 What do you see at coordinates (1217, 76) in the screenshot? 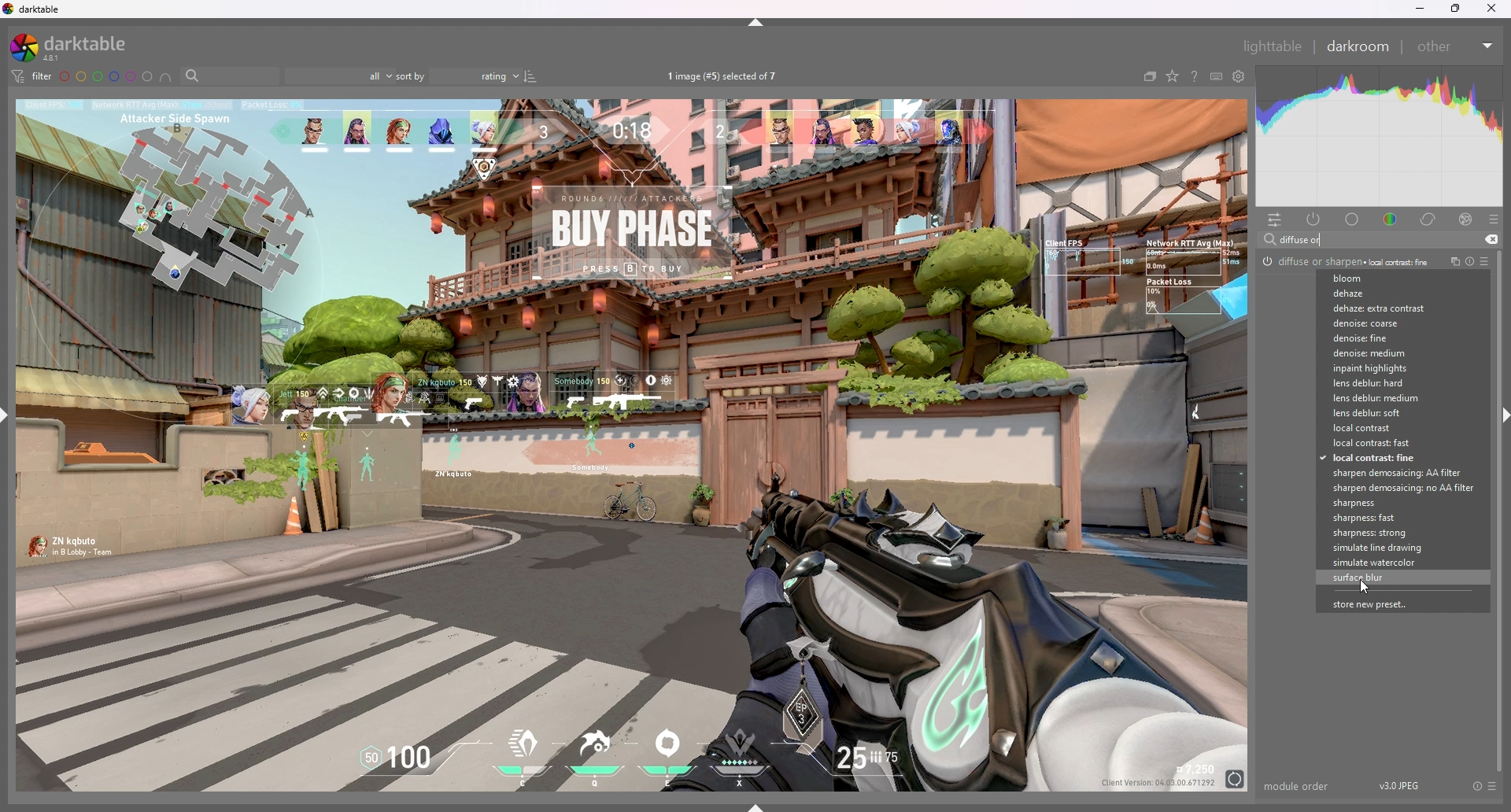
I see `keyboard shortcuts` at bounding box center [1217, 76].